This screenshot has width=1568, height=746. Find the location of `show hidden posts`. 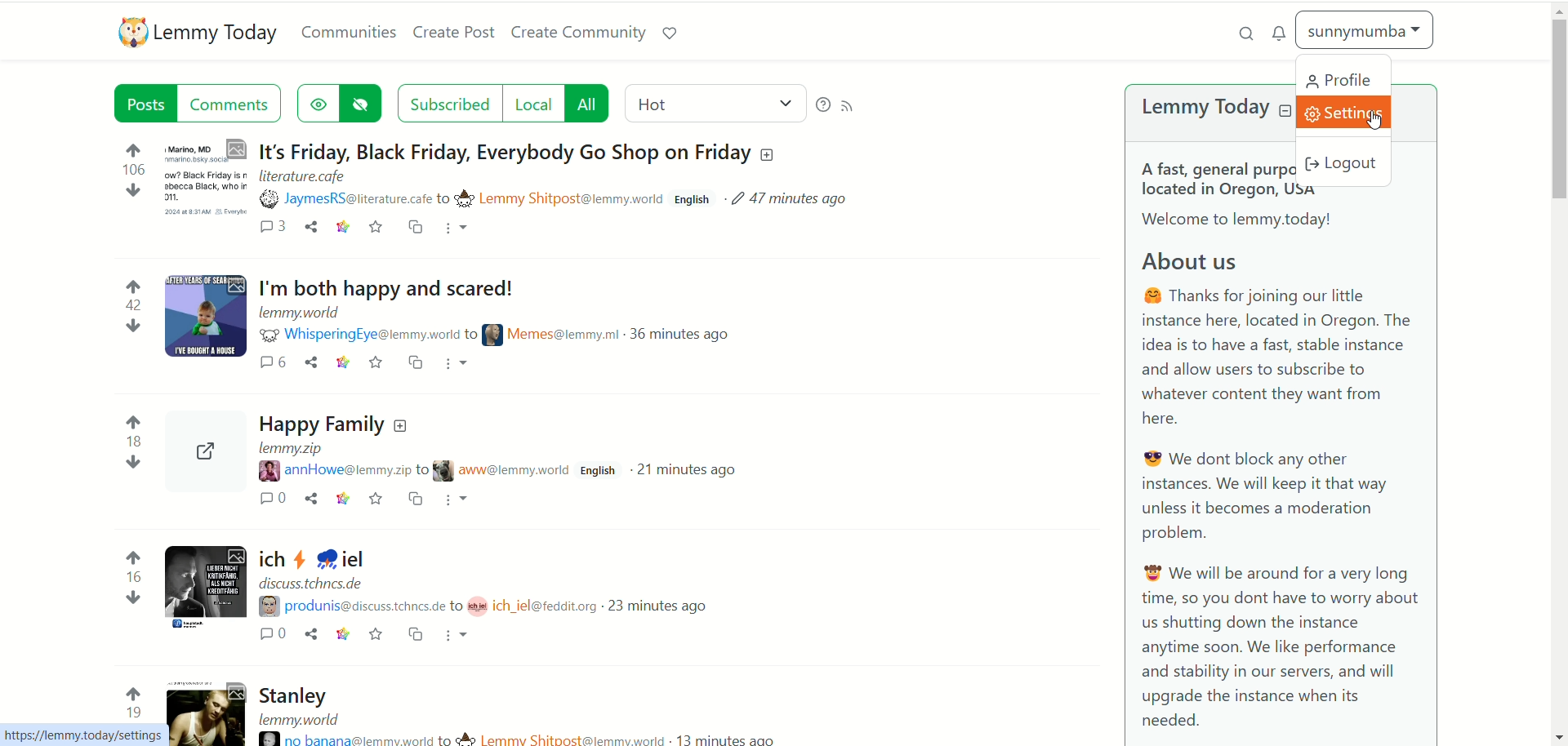

show hidden posts is located at coordinates (316, 102).